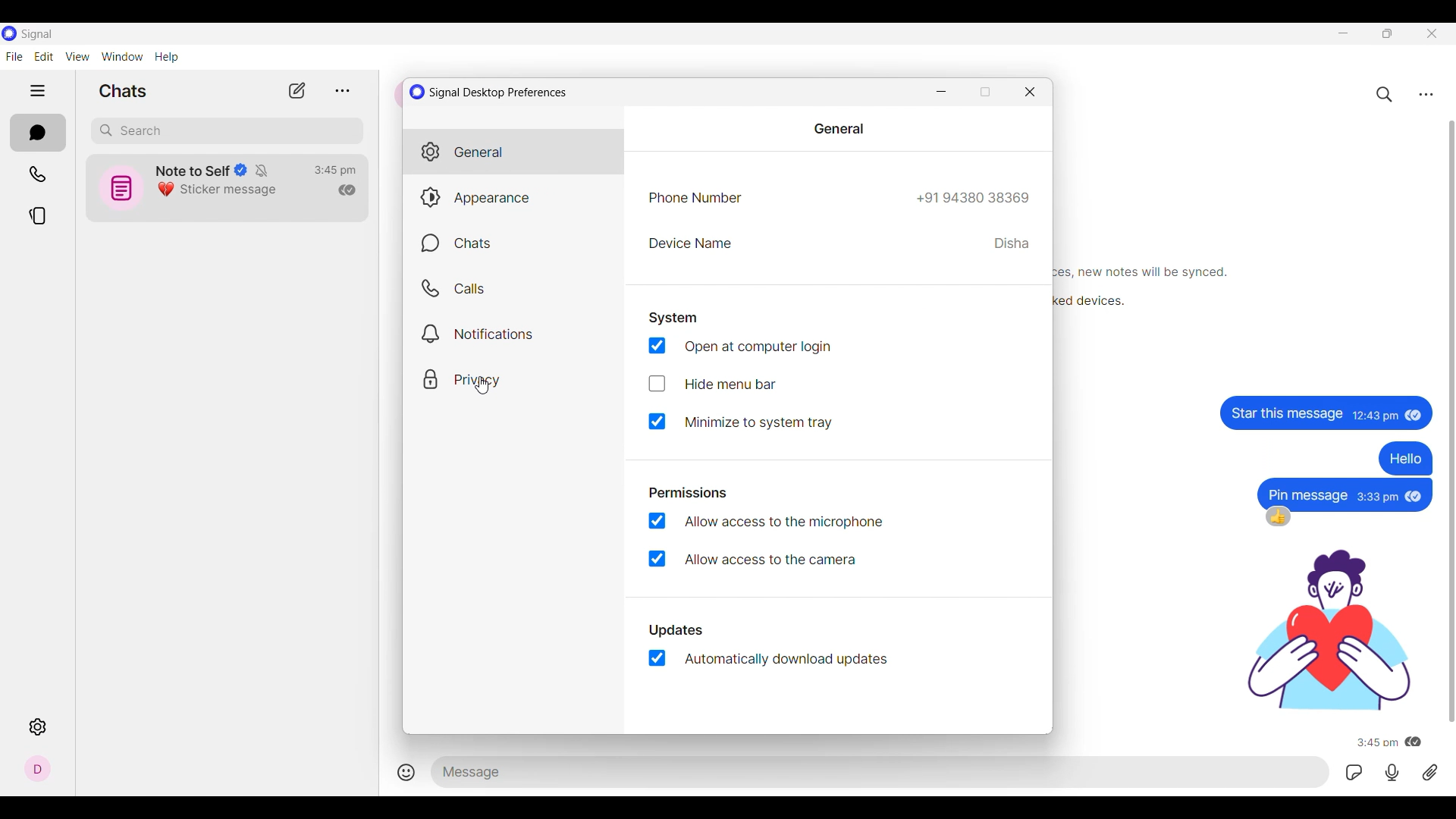 This screenshot has width=1456, height=819. I want to click on Add smiley, so click(406, 772).